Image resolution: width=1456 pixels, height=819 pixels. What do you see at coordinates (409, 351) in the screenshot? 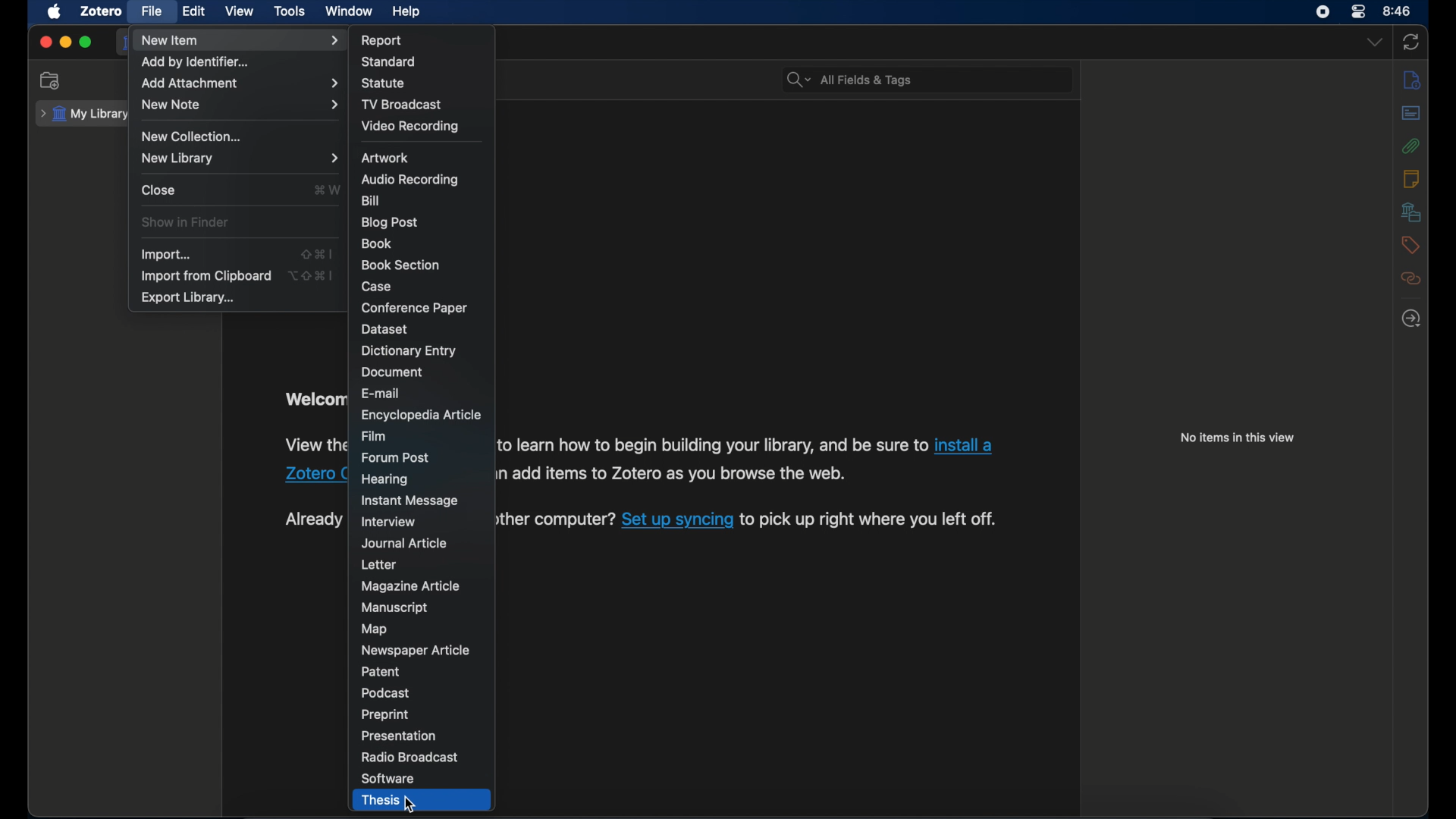
I see `dictionary entry` at bounding box center [409, 351].